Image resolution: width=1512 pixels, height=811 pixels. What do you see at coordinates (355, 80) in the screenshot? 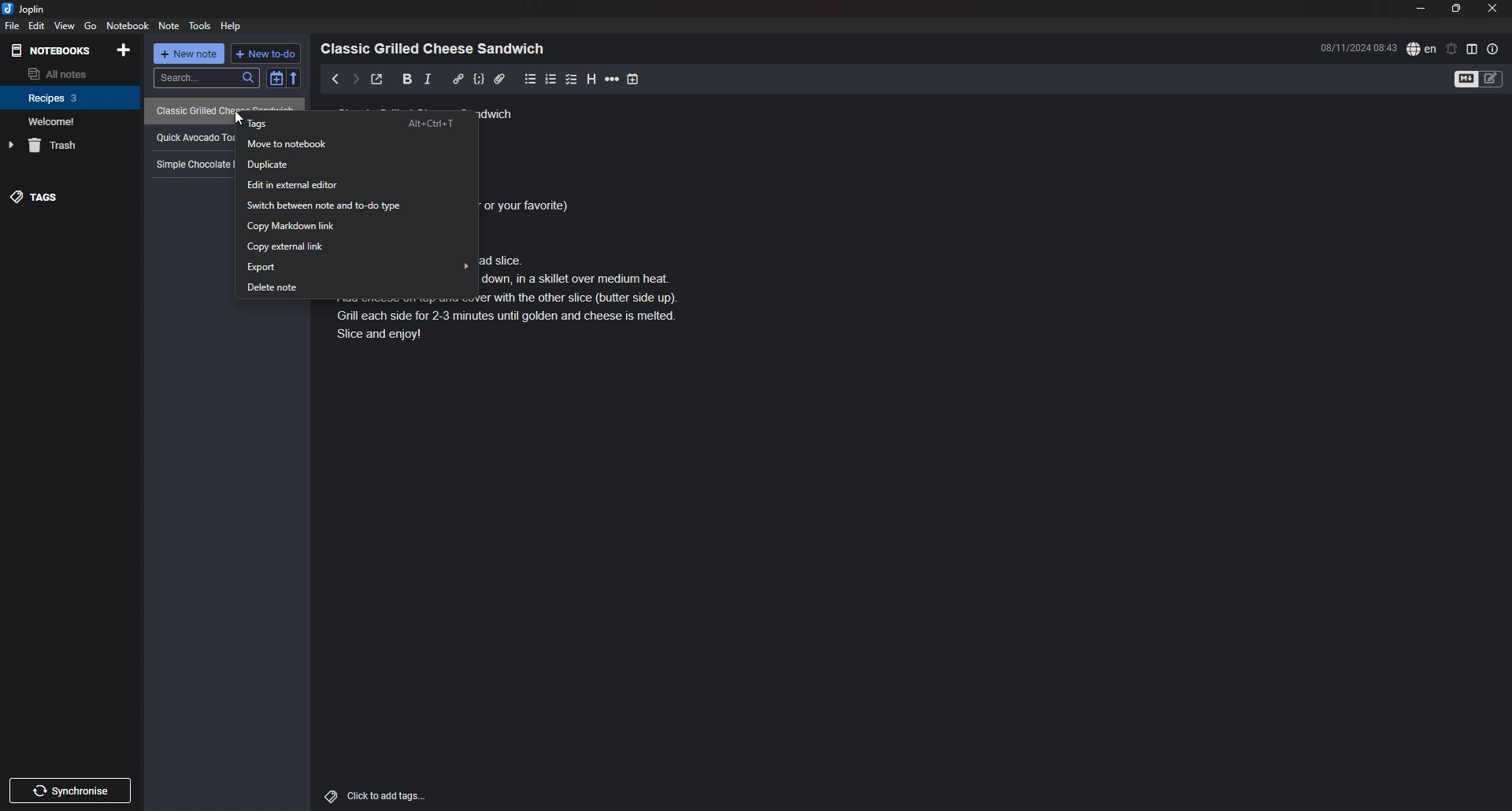
I see `next` at bounding box center [355, 80].